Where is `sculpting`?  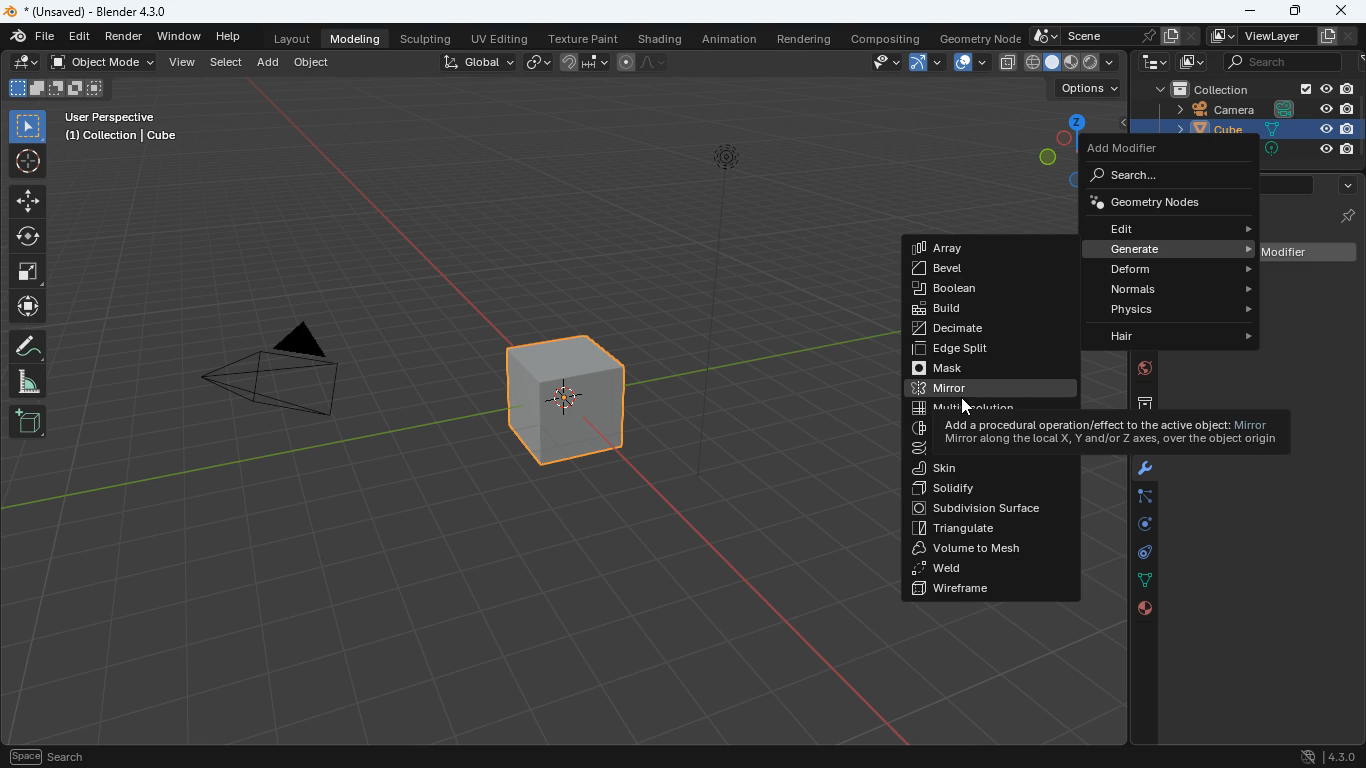
sculpting is located at coordinates (427, 39).